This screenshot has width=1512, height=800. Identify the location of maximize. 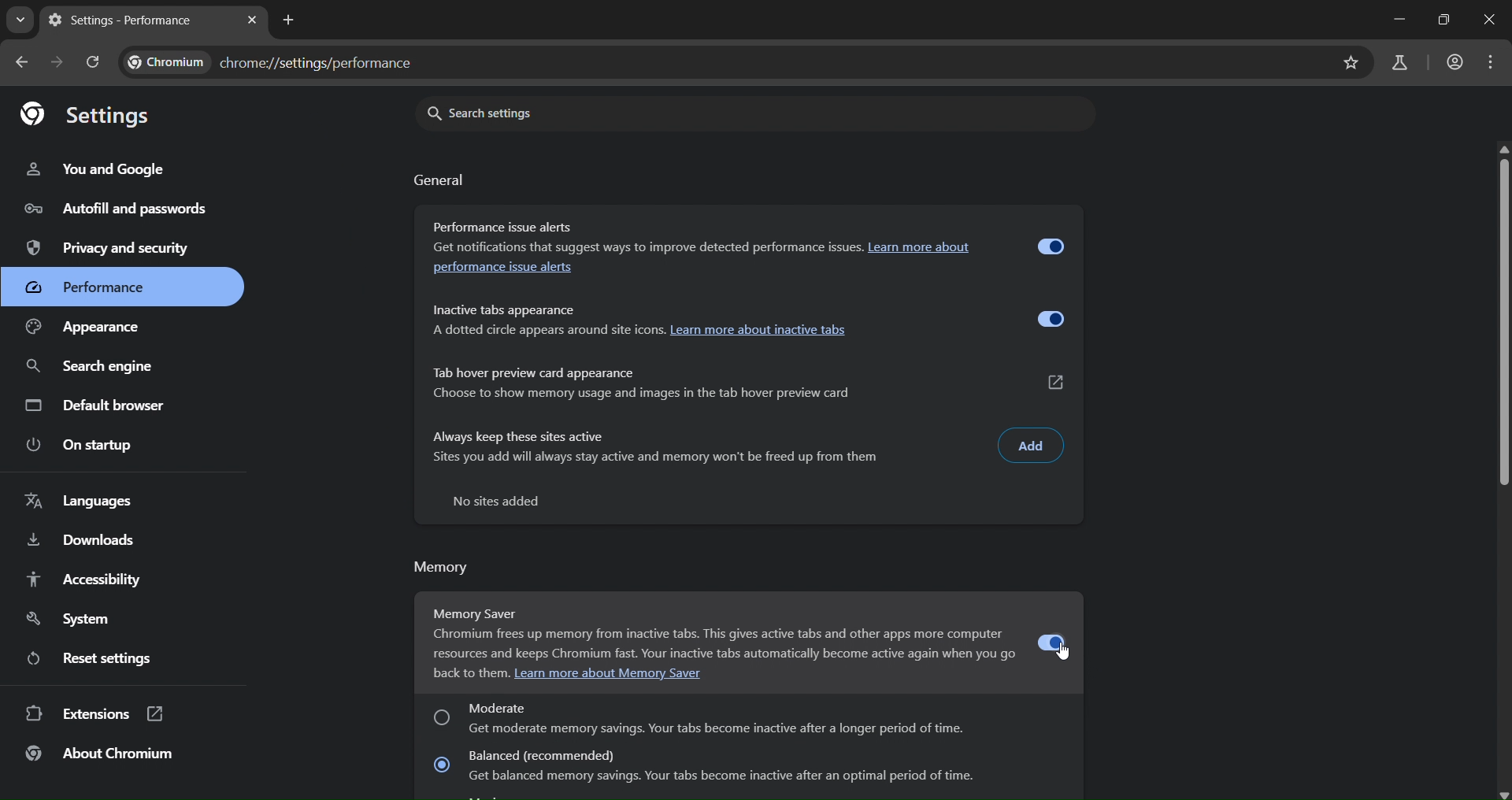
(1444, 20).